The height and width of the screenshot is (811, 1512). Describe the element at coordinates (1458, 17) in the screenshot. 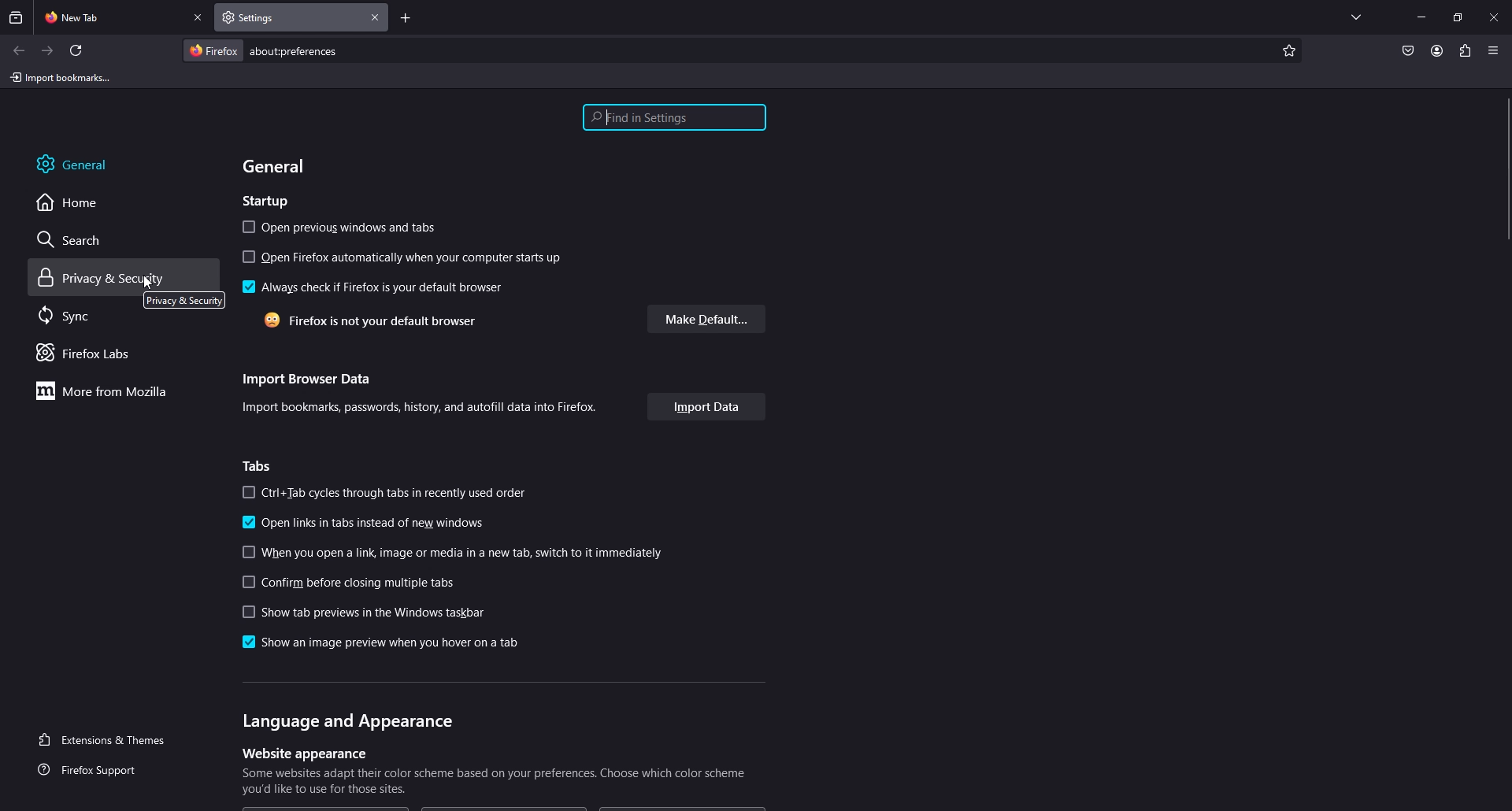

I see `resize` at that location.